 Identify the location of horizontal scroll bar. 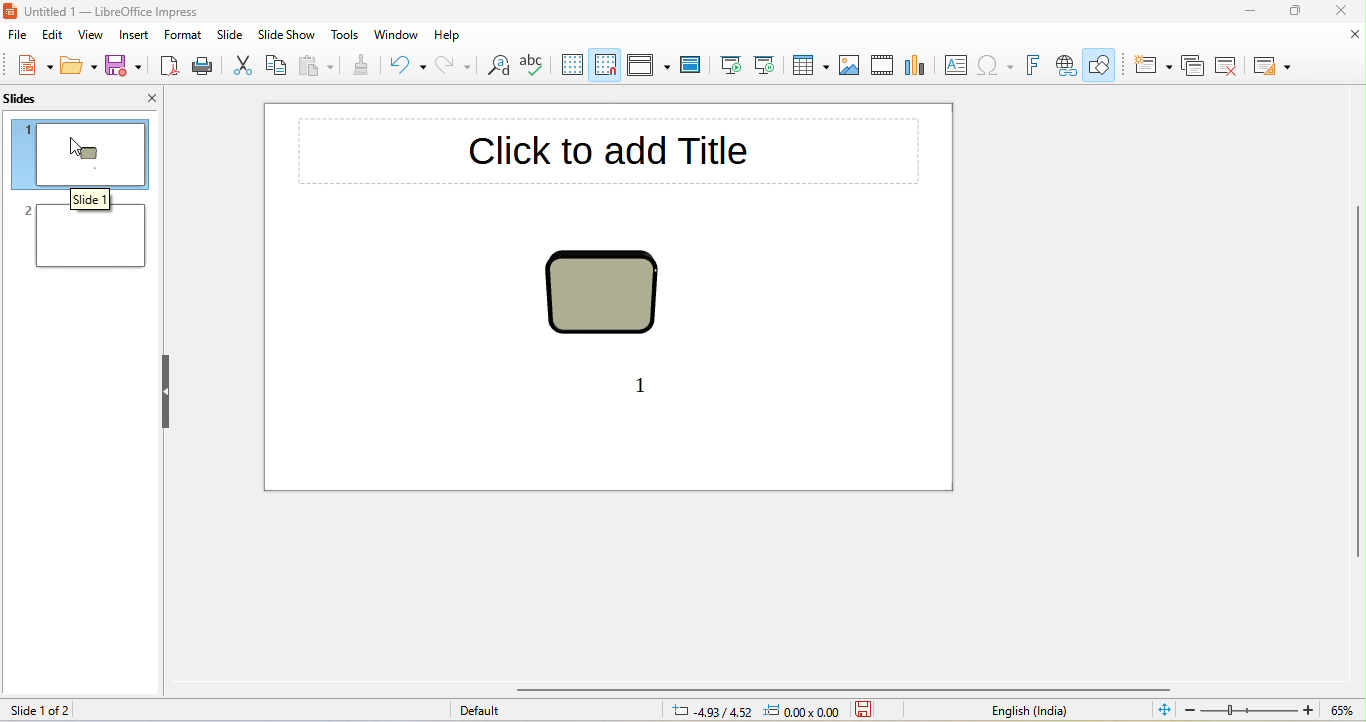
(845, 690).